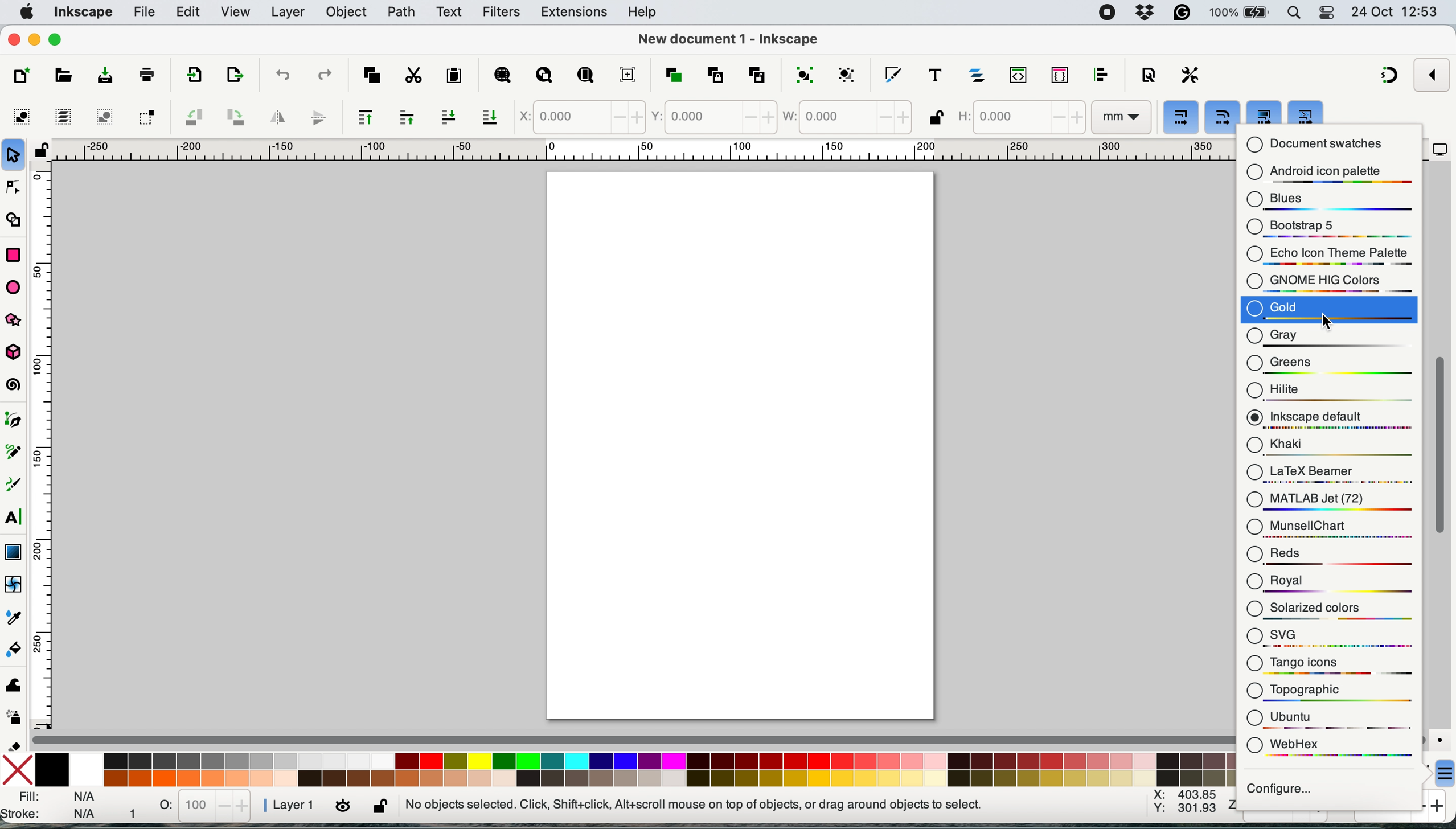 The width and height of the screenshot is (1456, 829). Describe the element at coordinates (1293, 13) in the screenshot. I see `spotlight search` at that location.